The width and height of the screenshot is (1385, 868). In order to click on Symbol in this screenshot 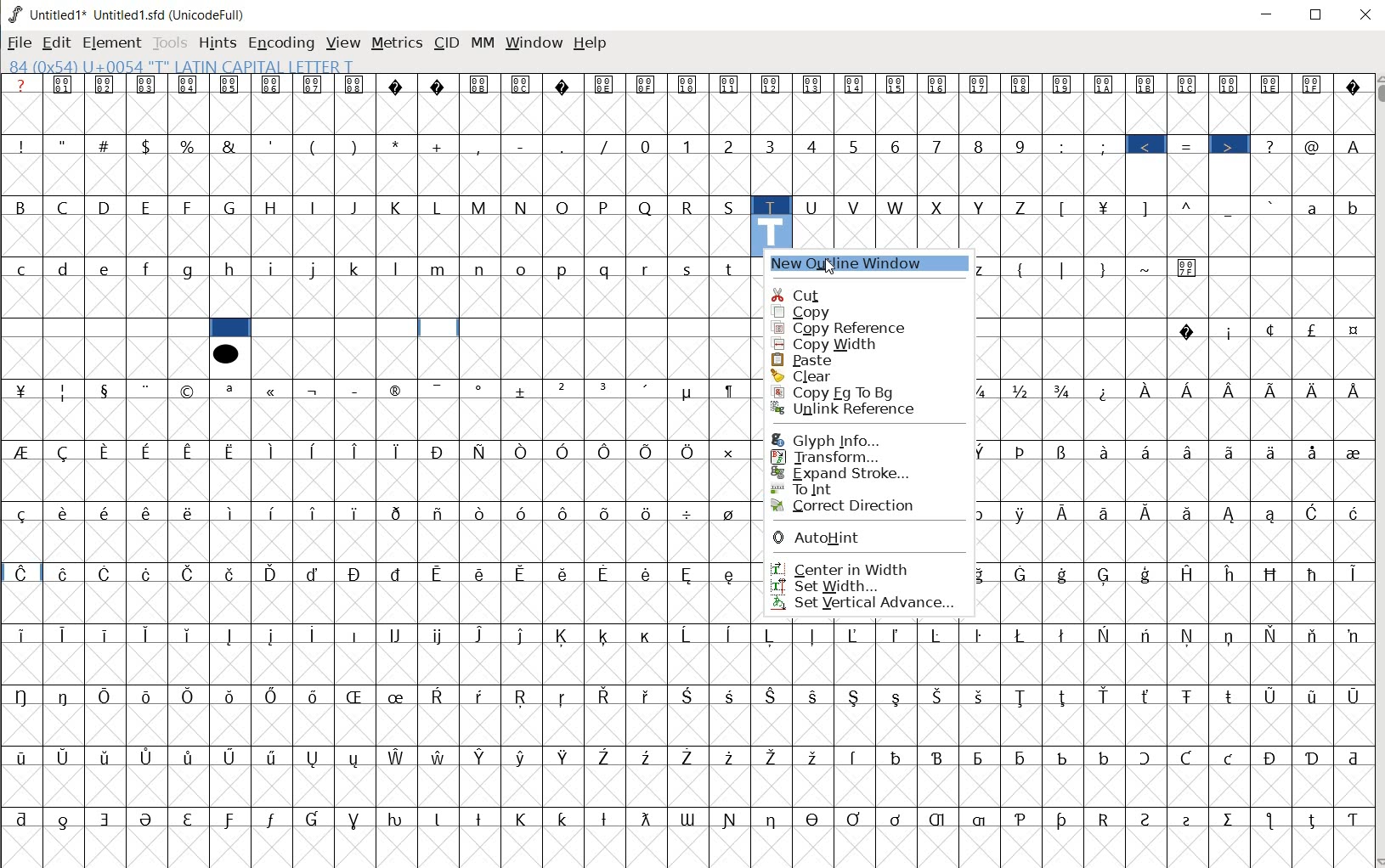, I will do `click(106, 758)`.